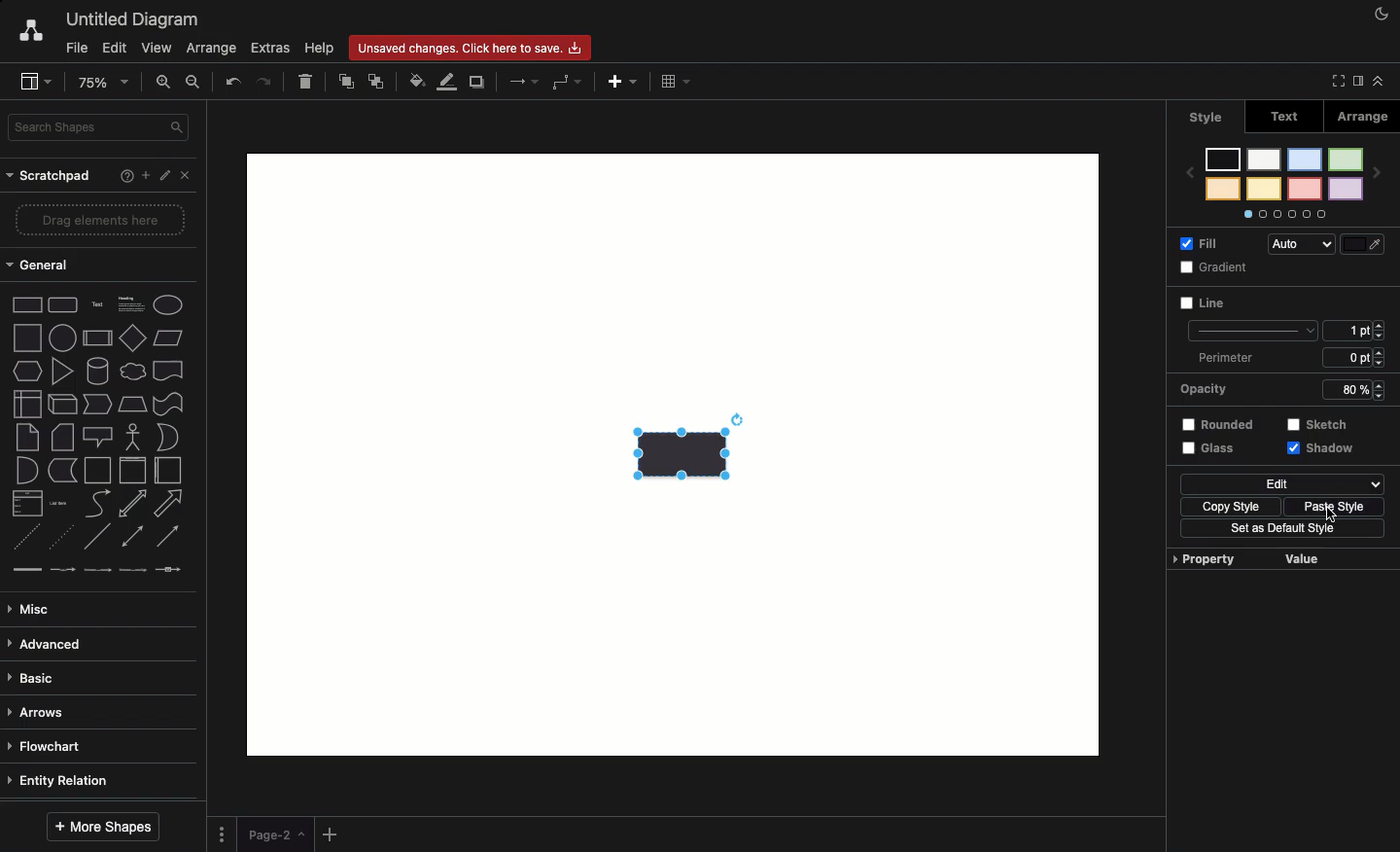  What do you see at coordinates (1323, 449) in the screenshot?
I see `Shadow` at bounding box center [1323, 449].